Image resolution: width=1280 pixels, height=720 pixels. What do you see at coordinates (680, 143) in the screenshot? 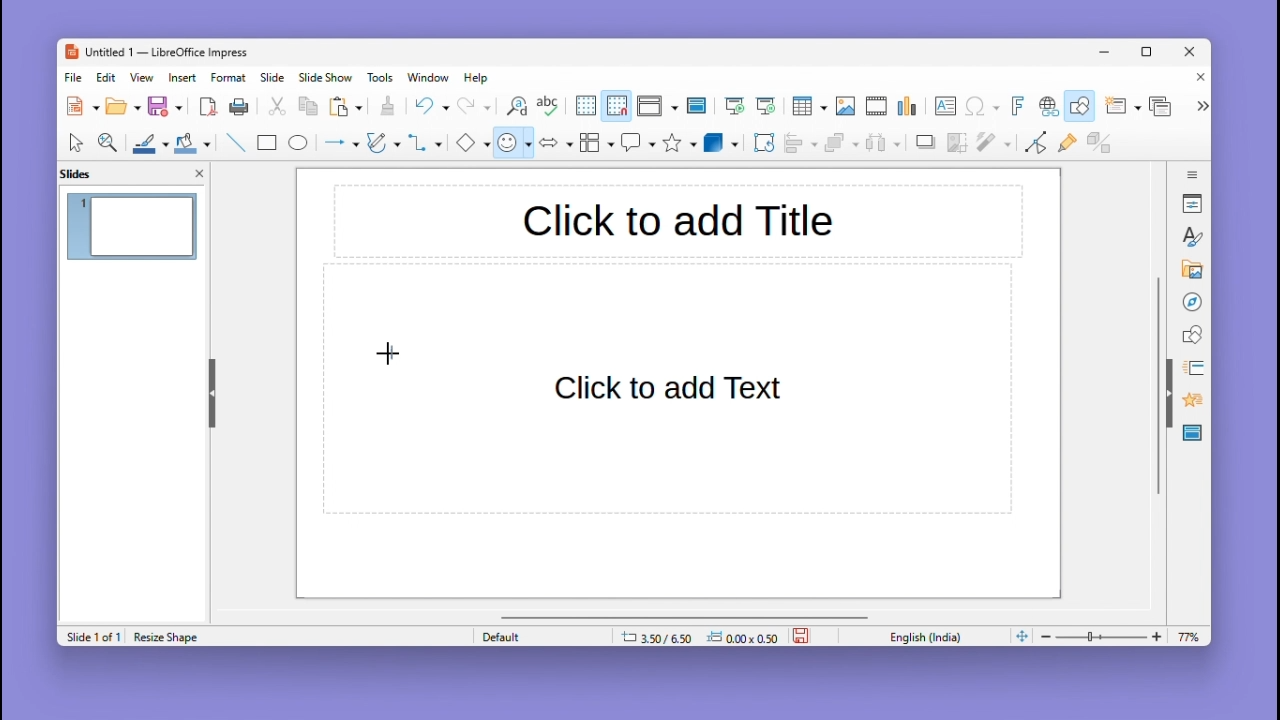
I see `Star` at bounding box center [680, 143].